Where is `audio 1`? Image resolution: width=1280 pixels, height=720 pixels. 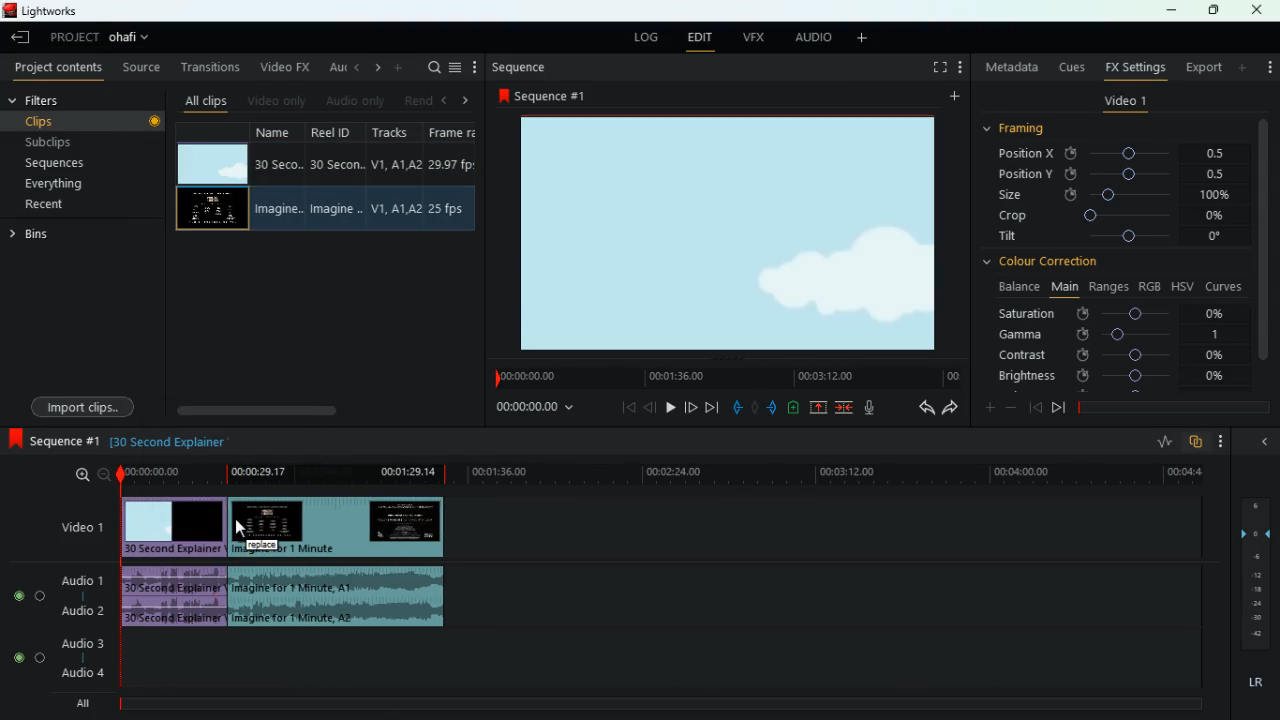
audio 1 is located at coordinates (85, 580).